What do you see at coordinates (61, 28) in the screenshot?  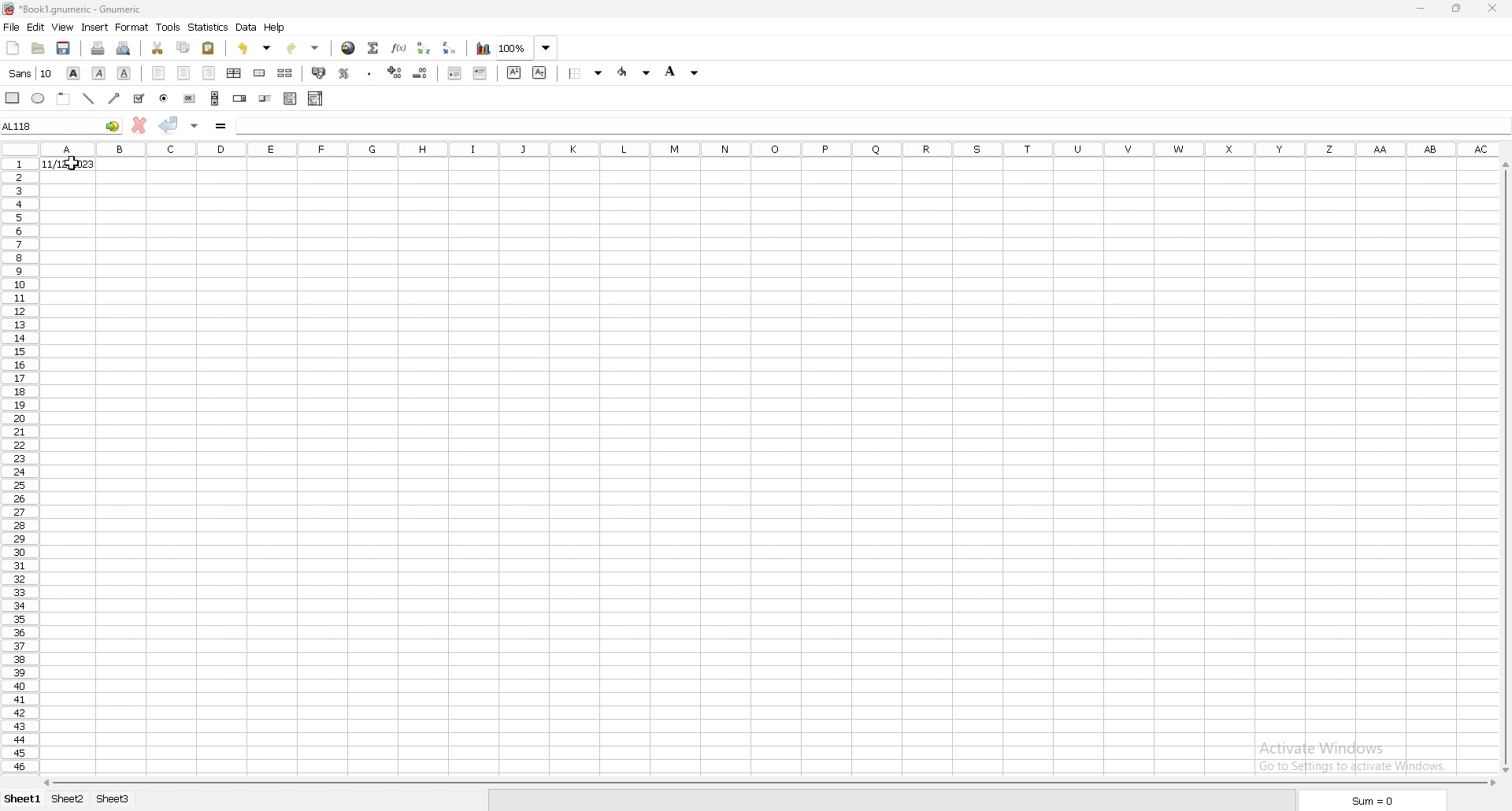 I see `view` at bounding box center [61, 28].